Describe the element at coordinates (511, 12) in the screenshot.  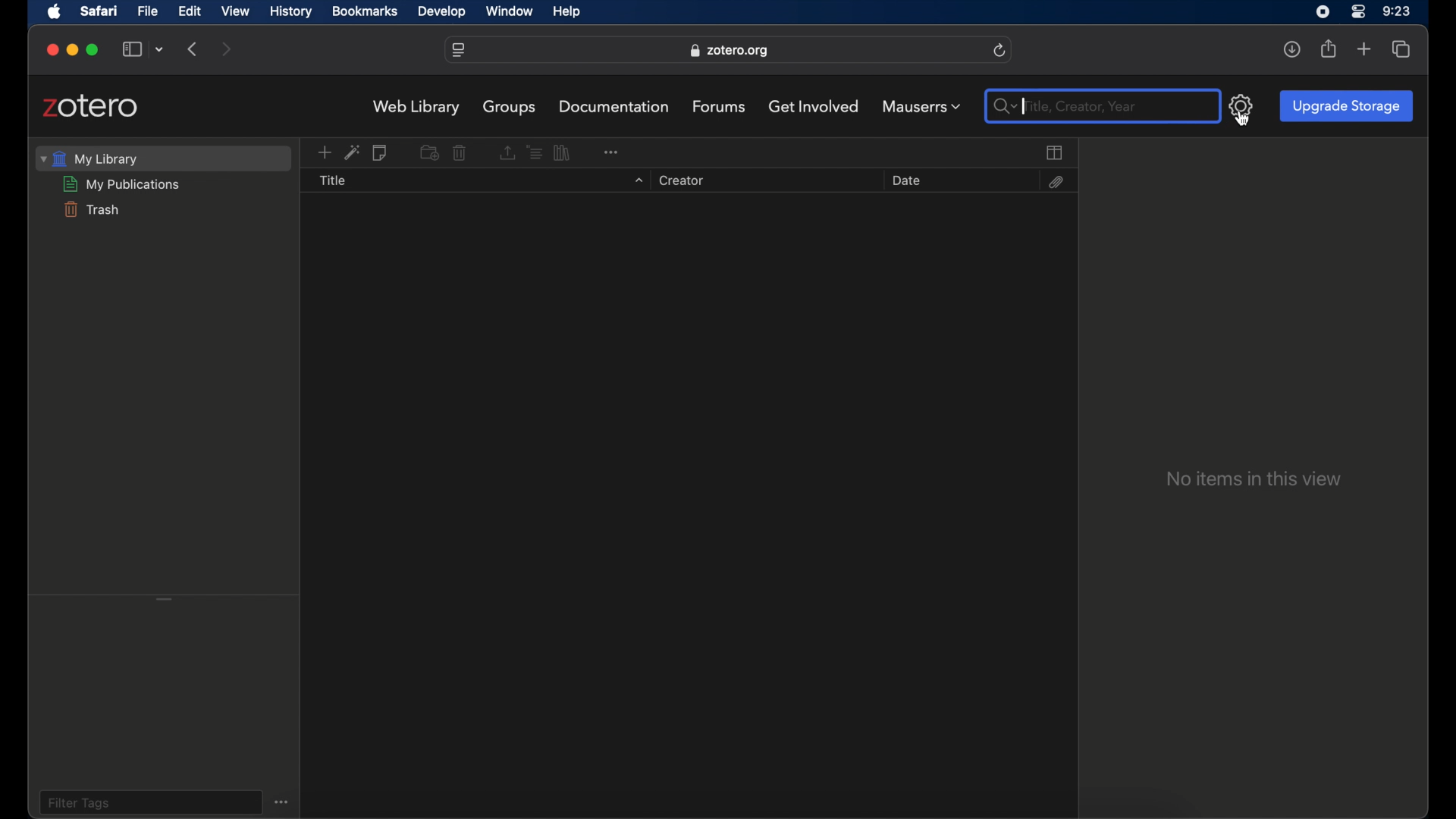
I see `window` at that location.